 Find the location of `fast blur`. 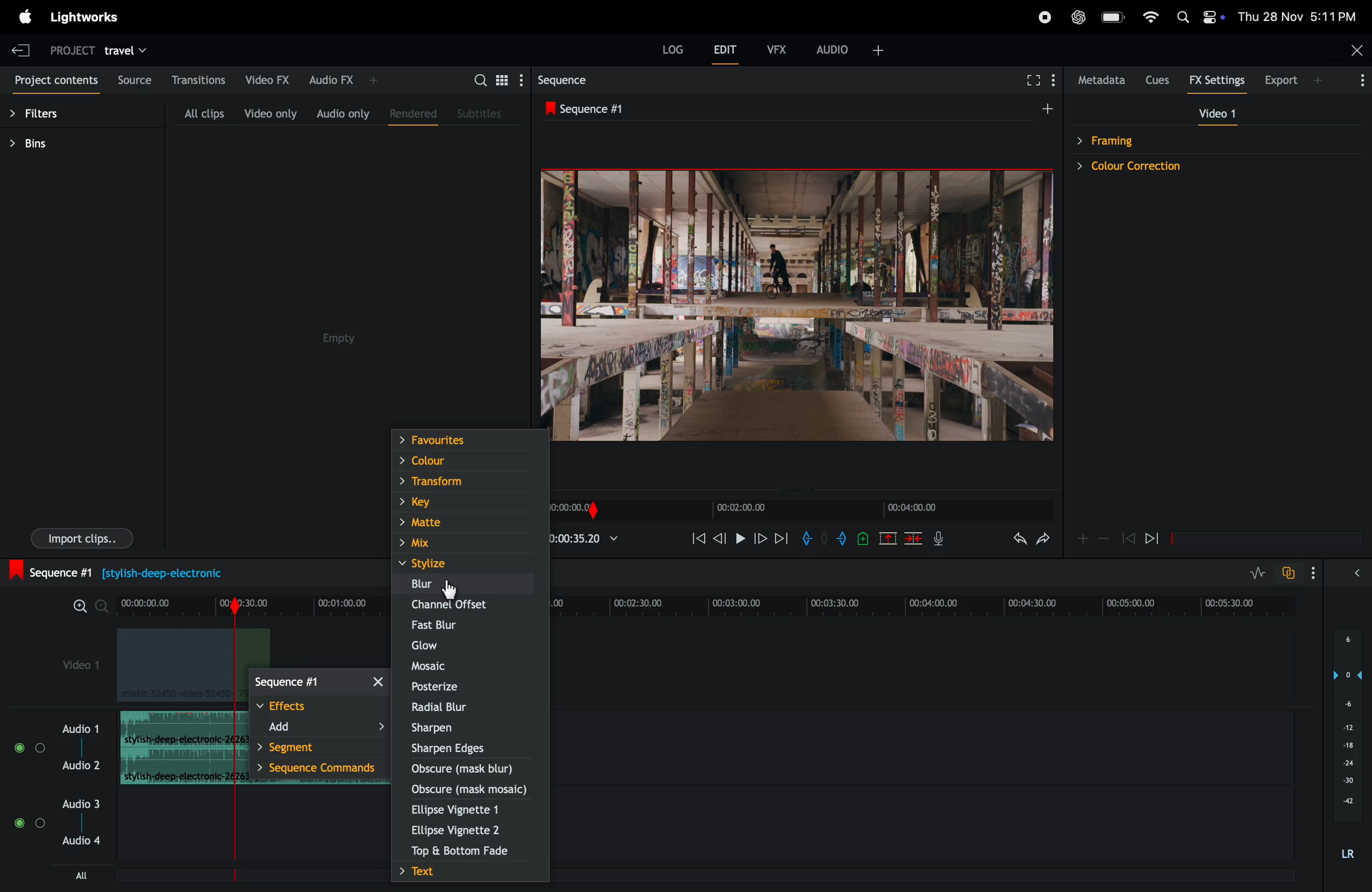

fast blur is located at coordinates (470, 625).